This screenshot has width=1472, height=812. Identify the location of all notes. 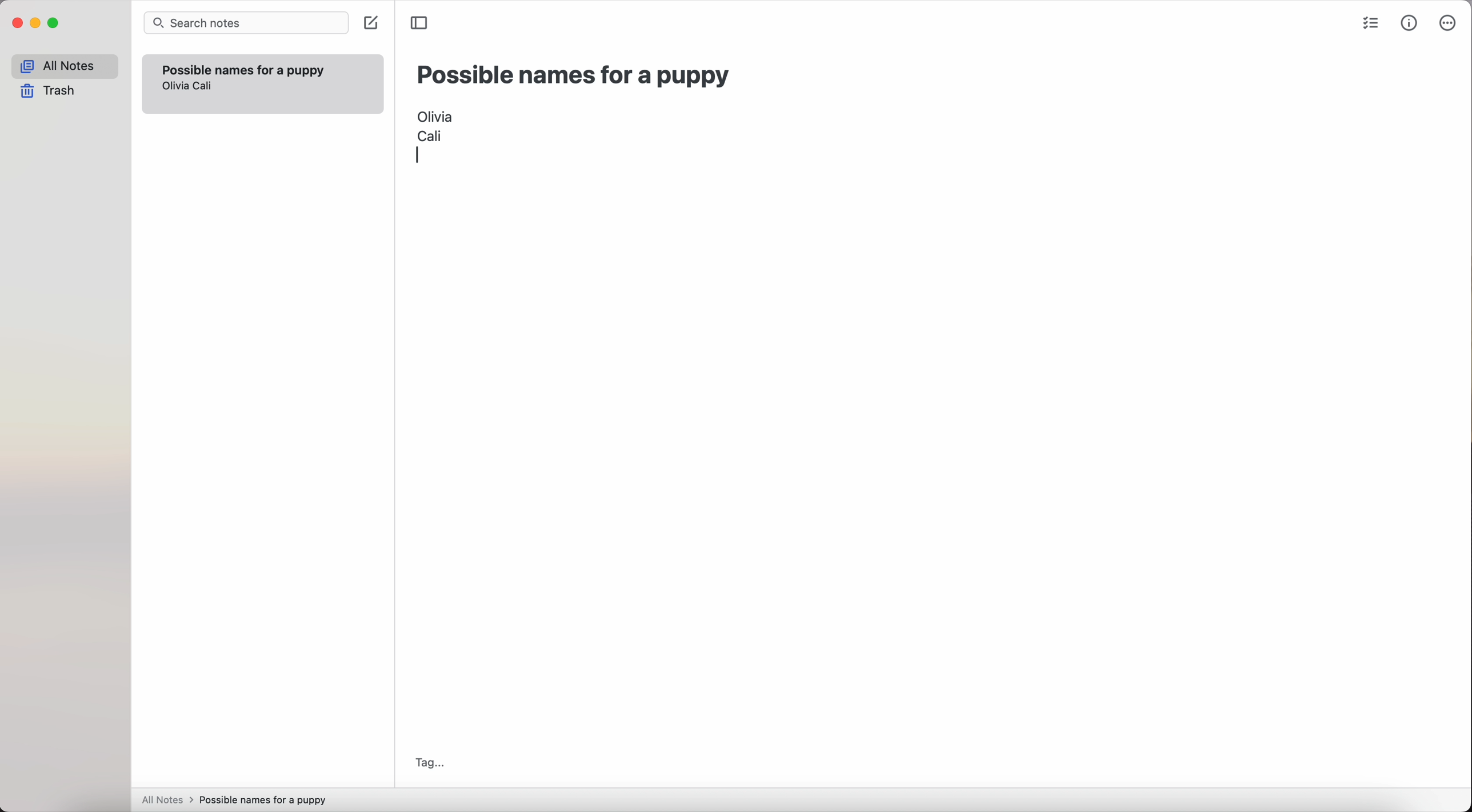
(65, 66).